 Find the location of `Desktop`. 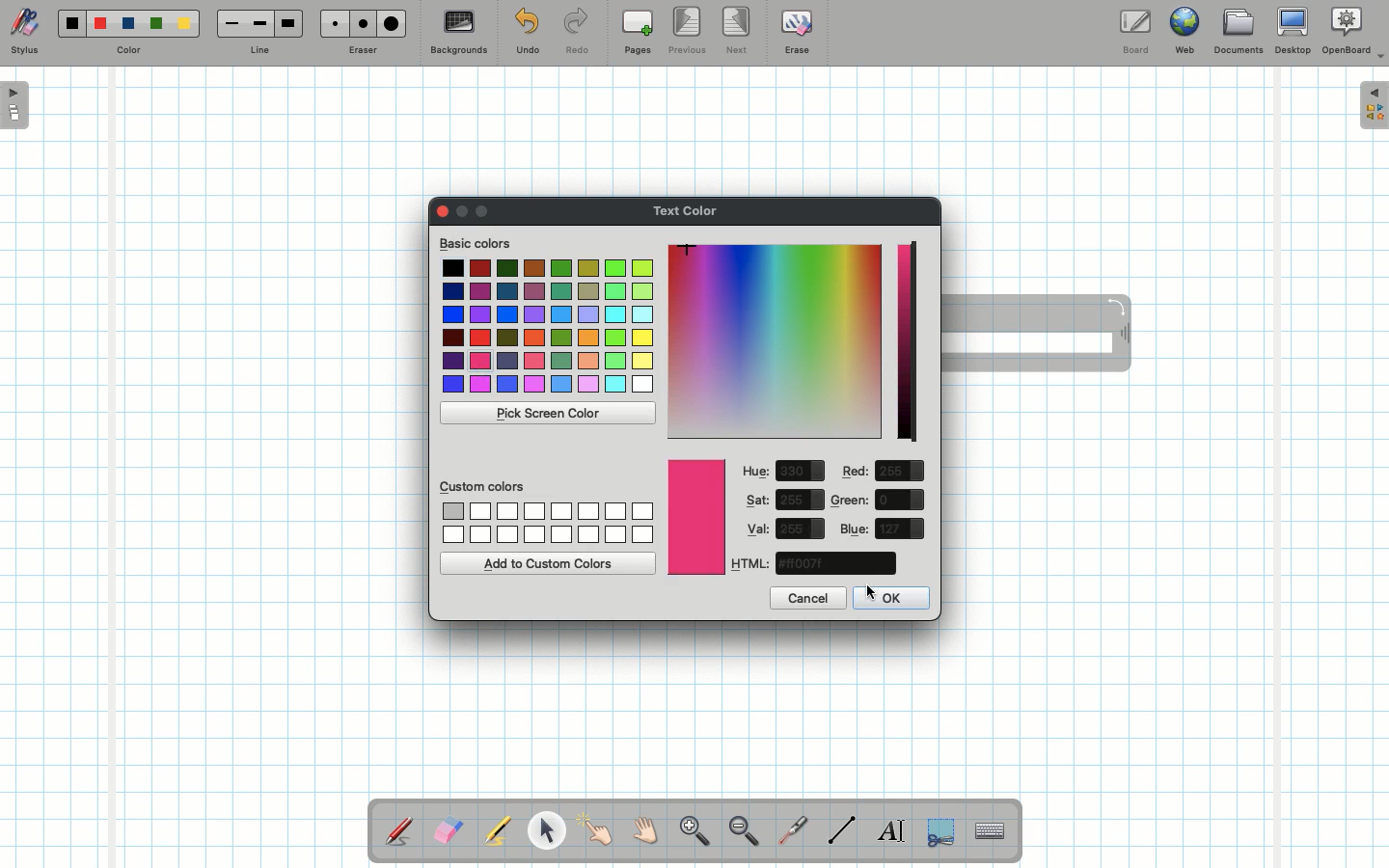

Desktop is located at coordinates (1295, 31).